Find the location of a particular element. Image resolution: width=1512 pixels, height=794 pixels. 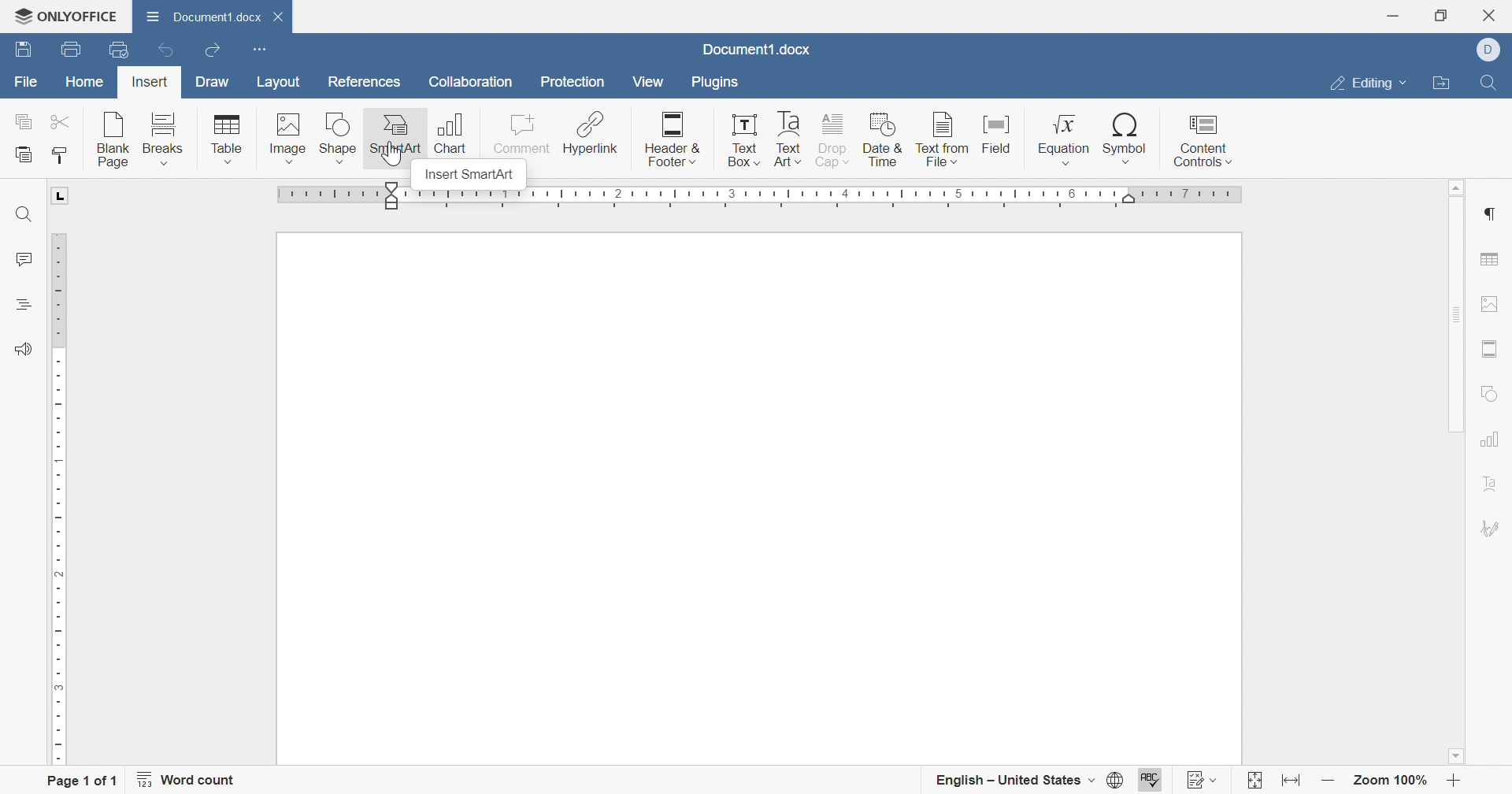

Shape settings is located at coordinates (1490, 395).